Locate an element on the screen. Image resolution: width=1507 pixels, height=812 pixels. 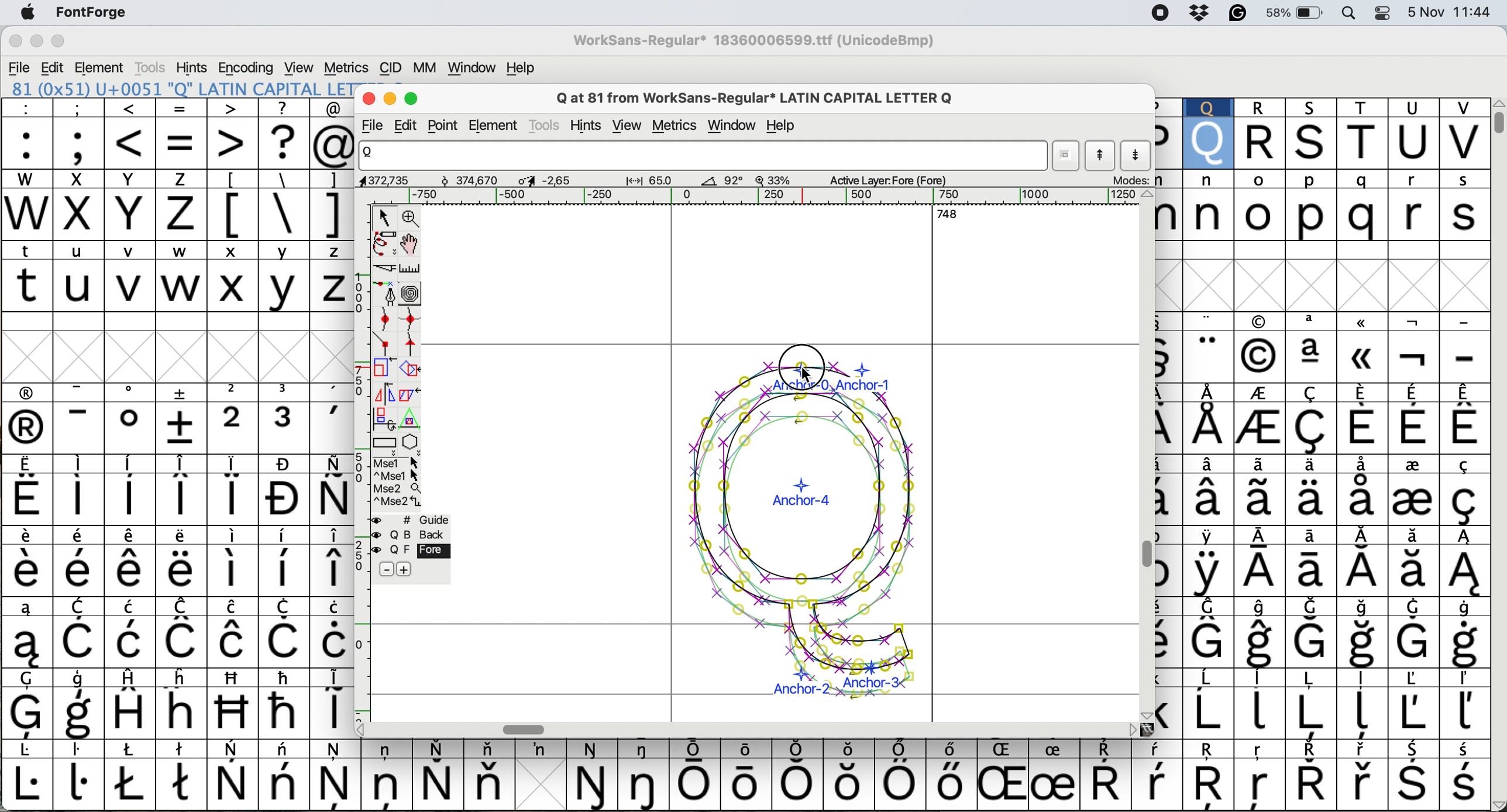
5 Nov 11:44 is located at coordinates (1449, 14).